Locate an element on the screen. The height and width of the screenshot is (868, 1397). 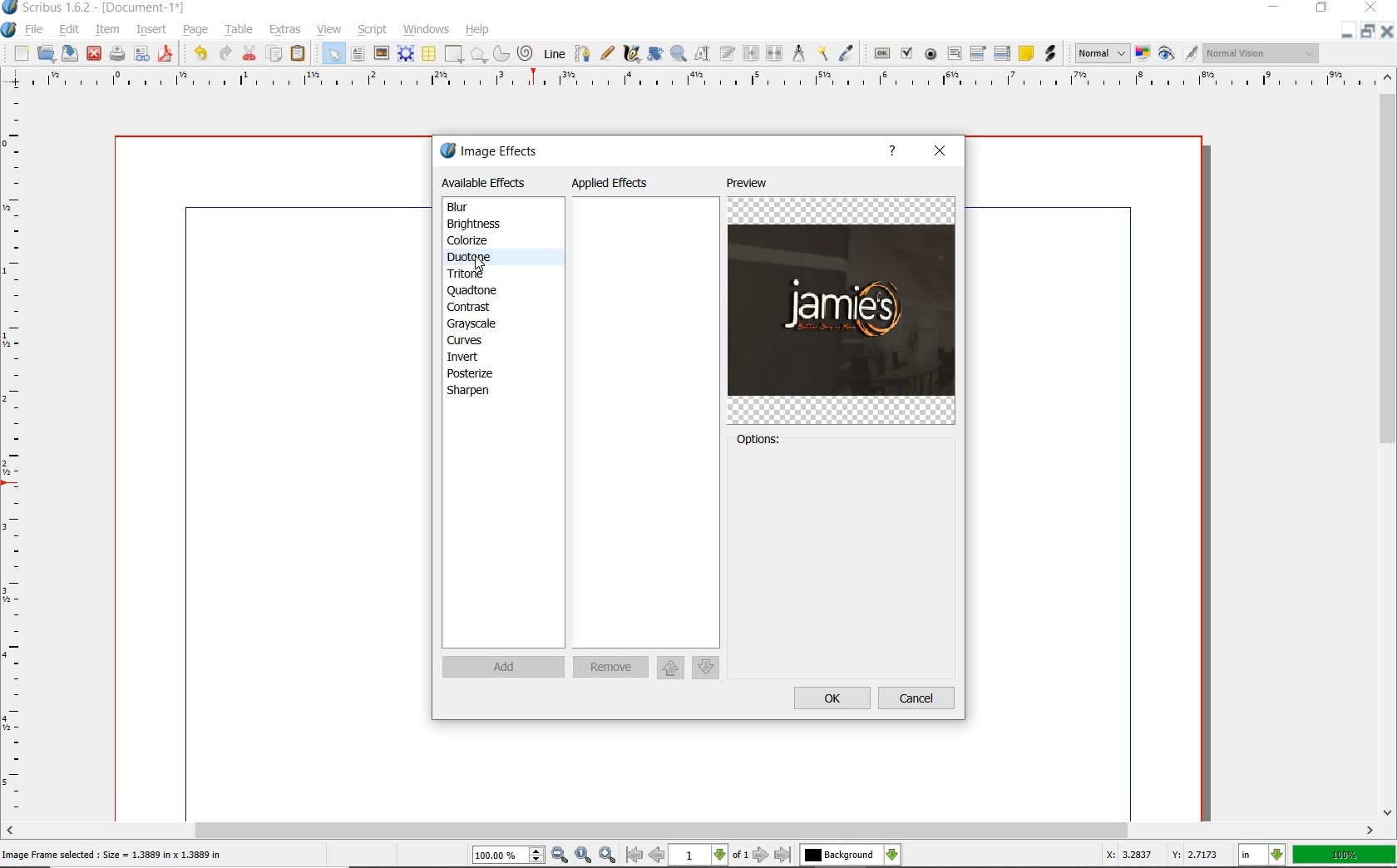
move up/down is located at coordinates (687, 668).